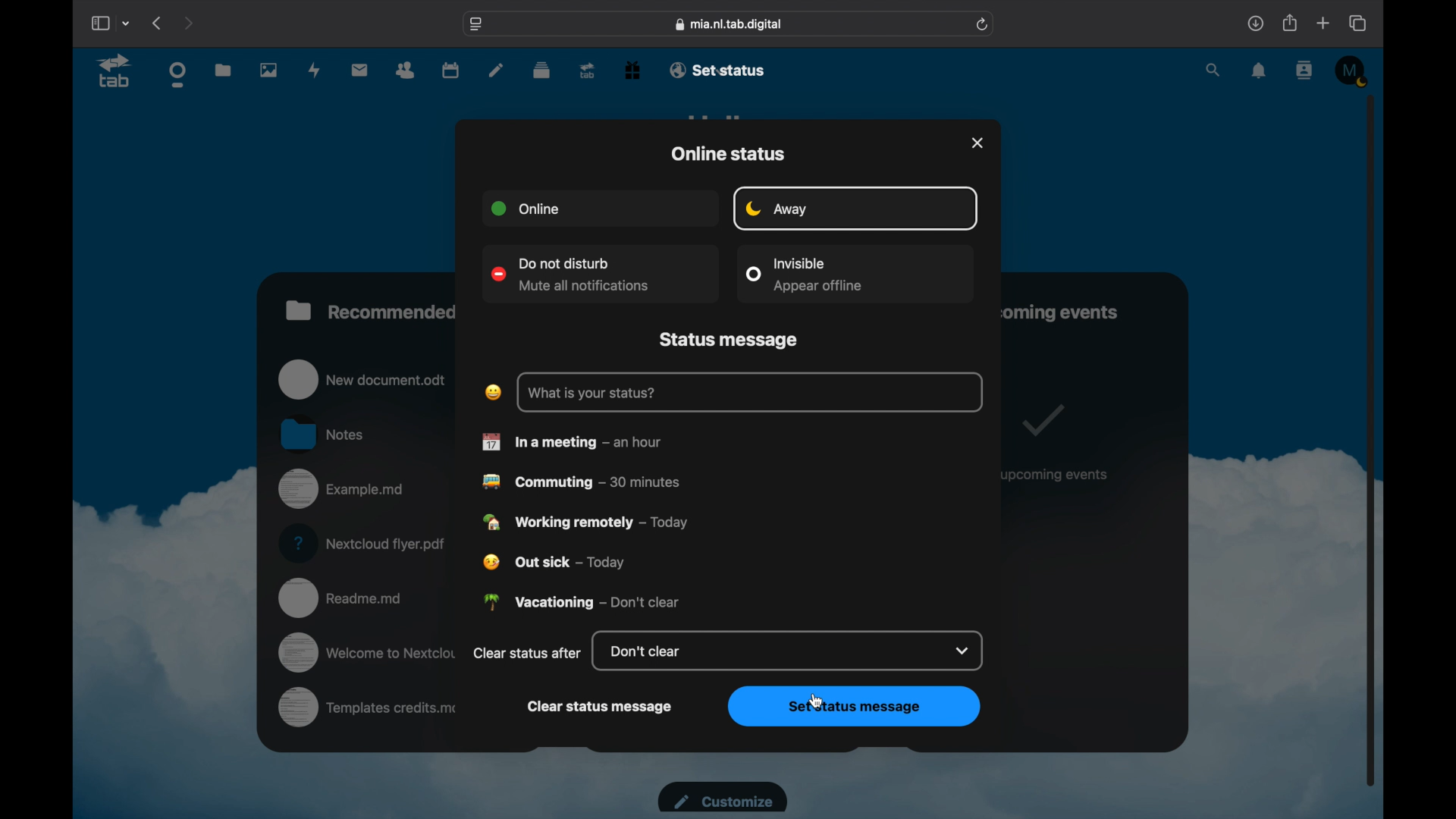 The image size is (1456, 819). What do you see at coordinates (586, 522) in the screenshot?
I see `working remotely` at bounding box center [586, 522].